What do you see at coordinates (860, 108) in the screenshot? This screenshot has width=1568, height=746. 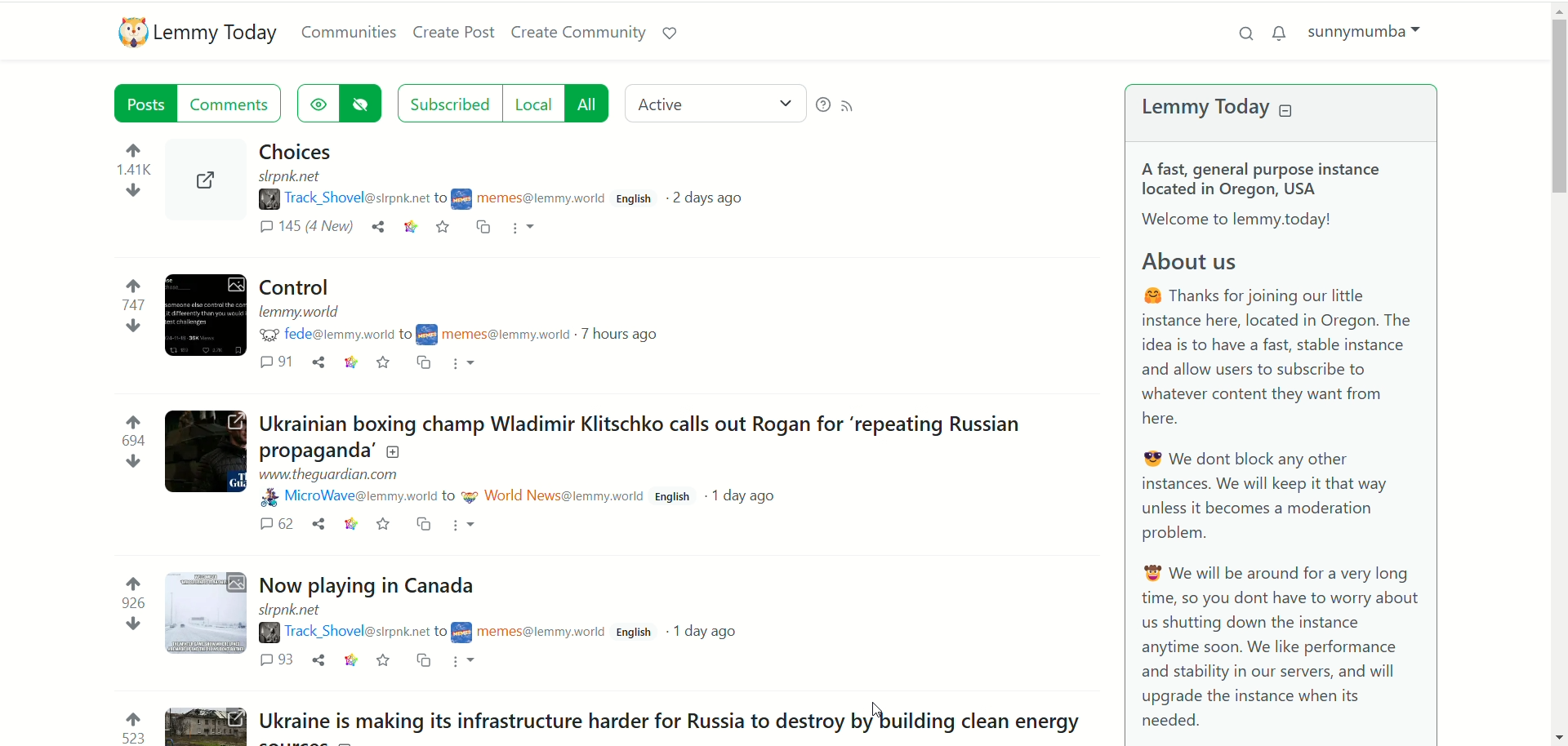 I see `RSS` at bounding box center [860, 108].